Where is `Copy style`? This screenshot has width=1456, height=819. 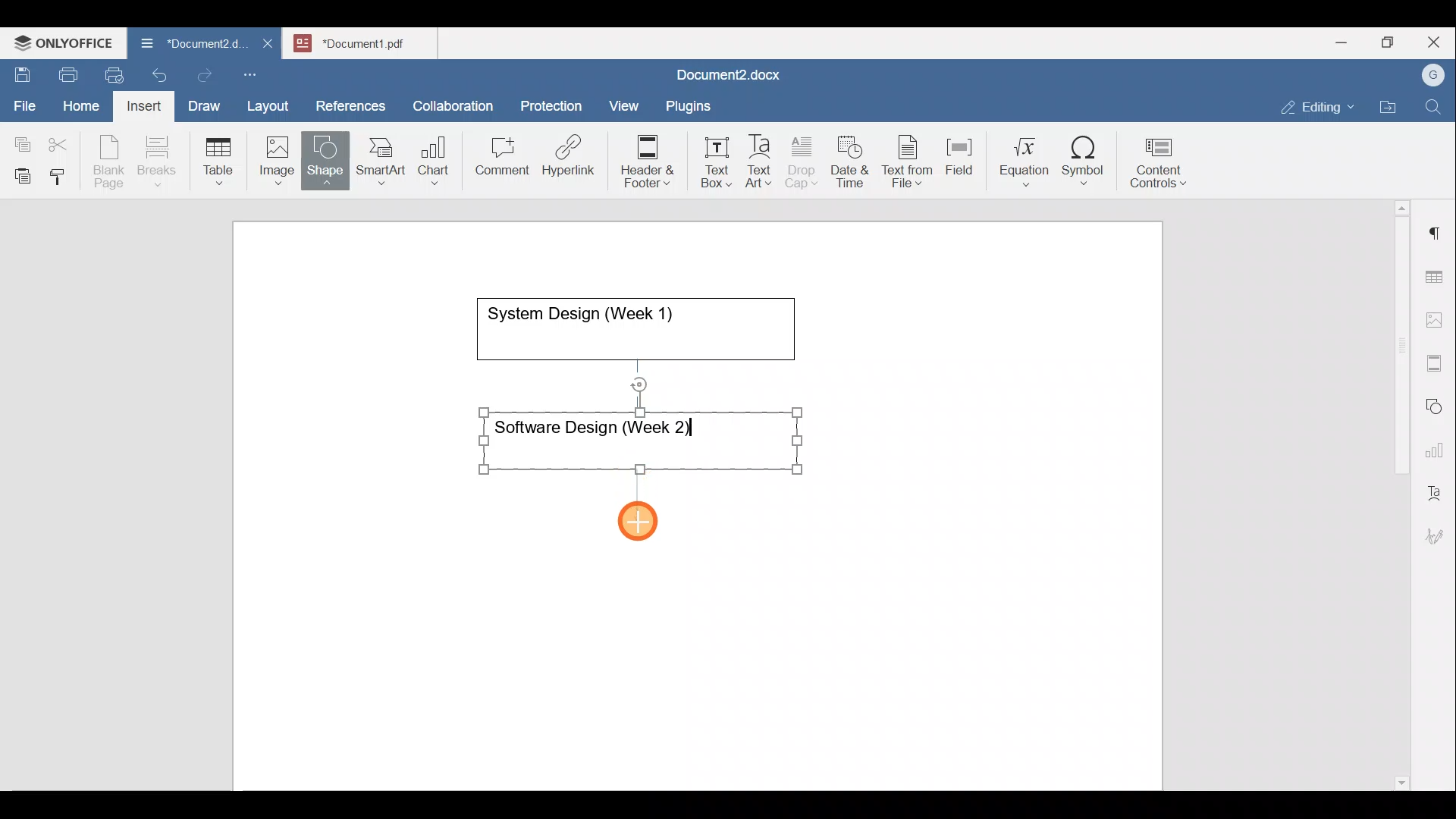
Copy style is located at coordinates (63, 173).